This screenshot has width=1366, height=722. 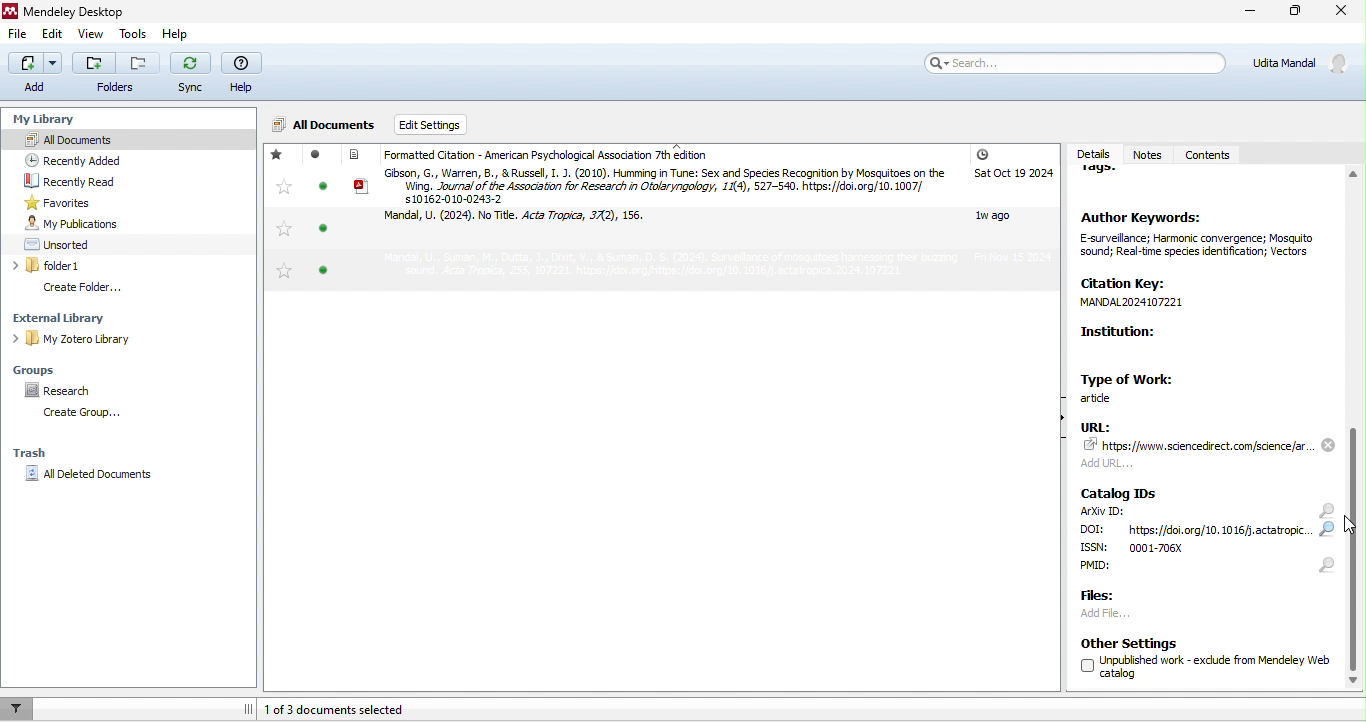 I want to click on folder1, so click(x=98, y=266).